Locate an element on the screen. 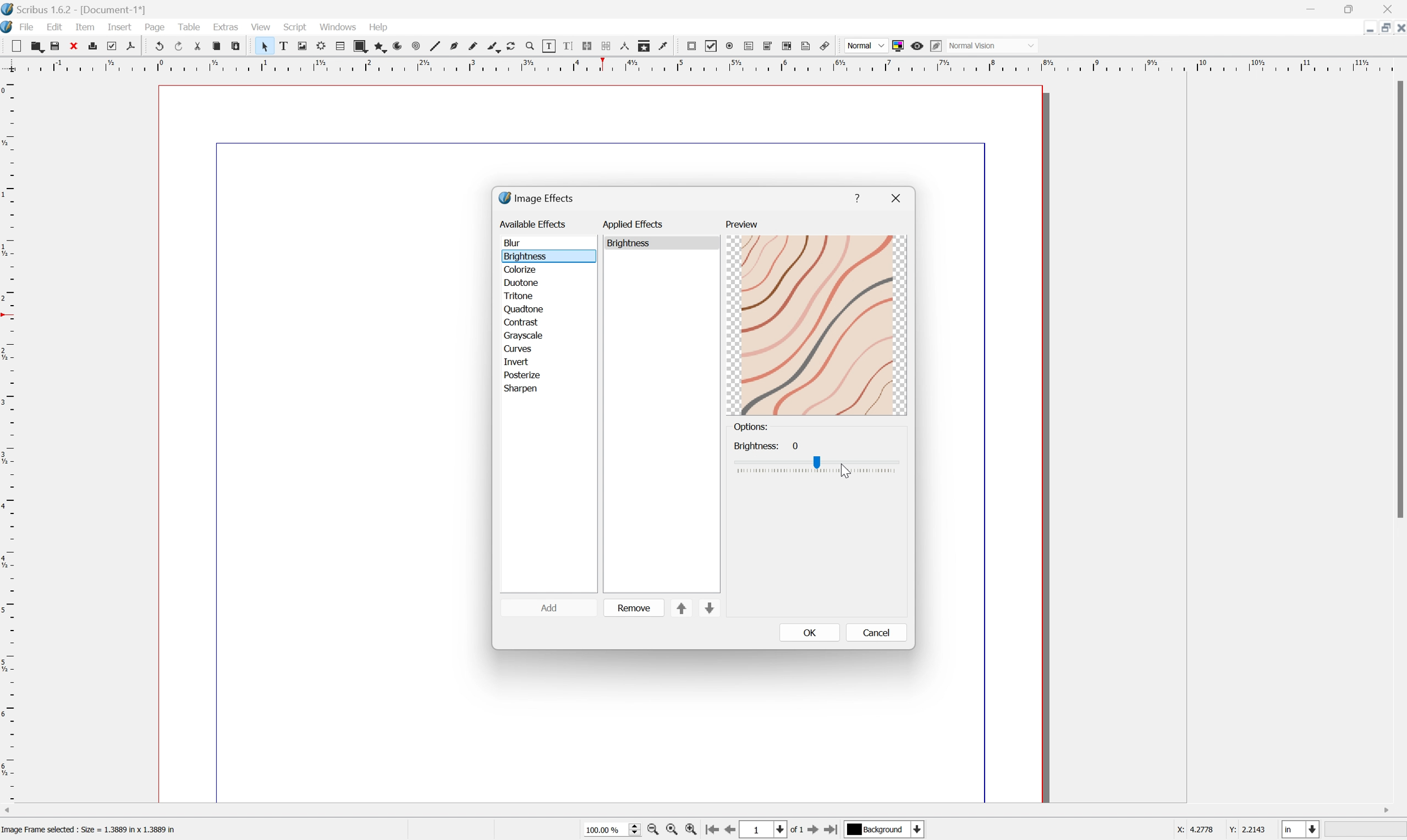 This screenshot has width=1407, height=840. Arc is located at coordinates (400, 46).